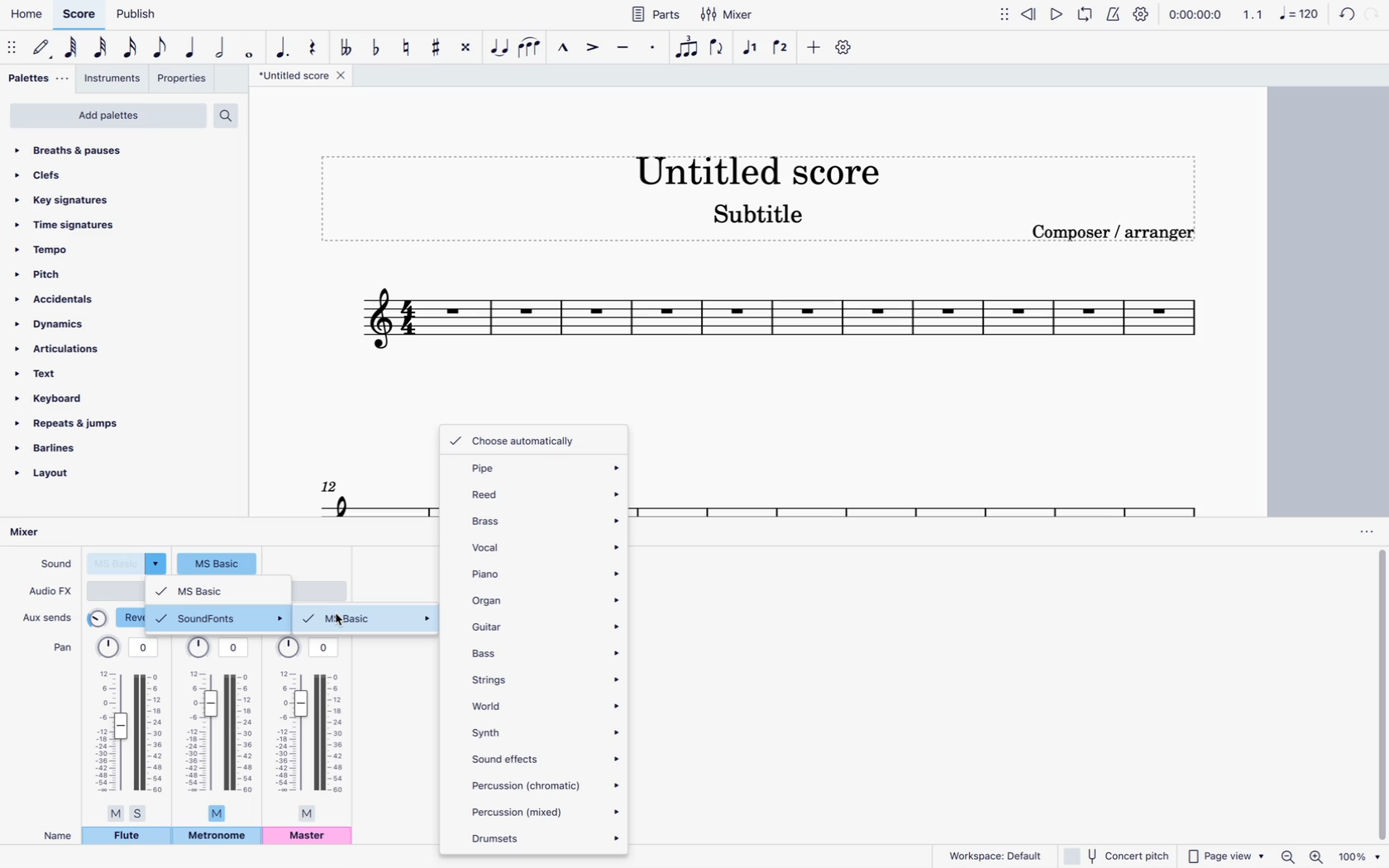 The height and width of the screenshot is (868, 1389). What do you see at coordinates (1115, 231) in the screenshot?
I see `composer / arranger` at bounding box center [1115, 231].